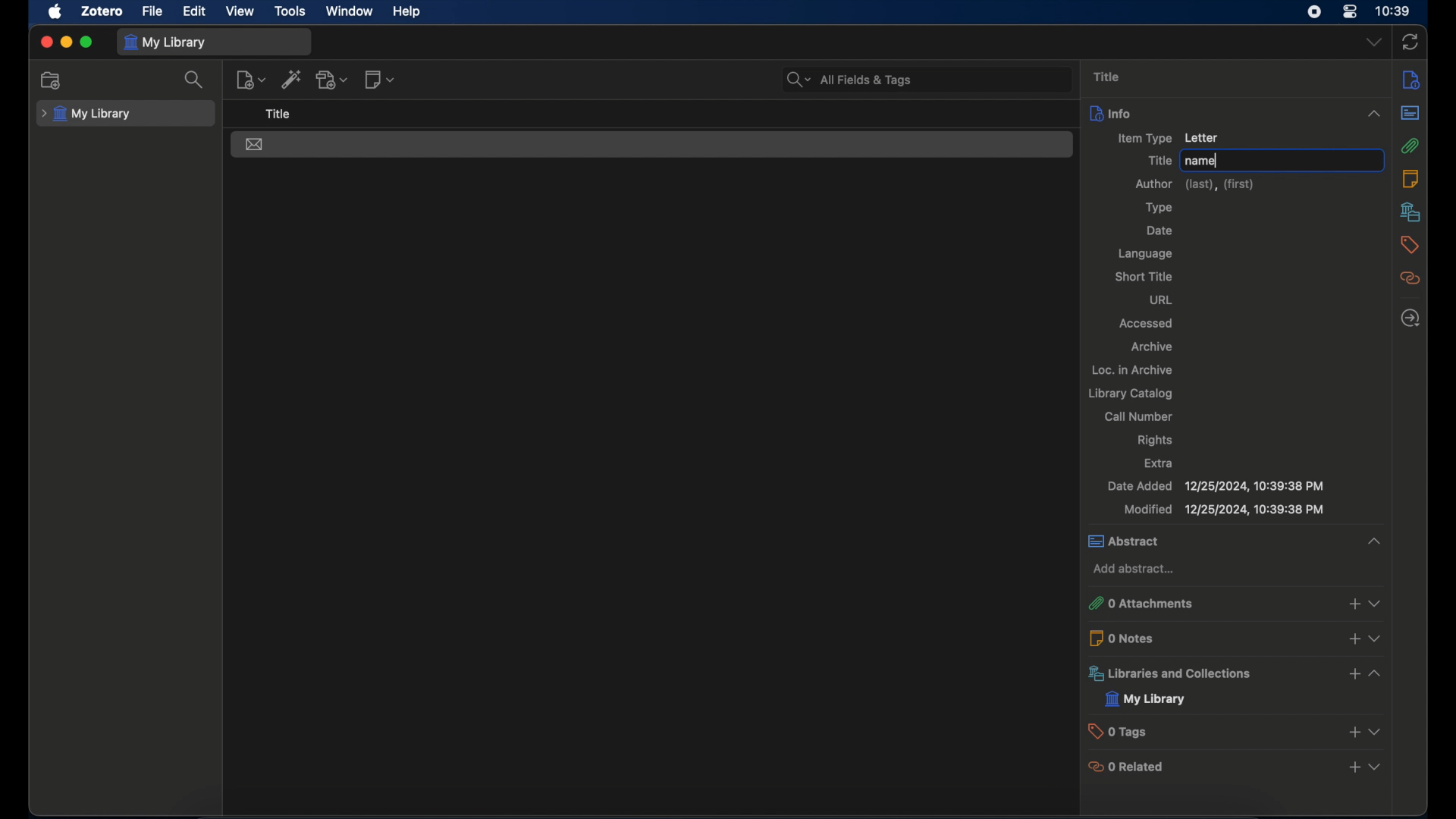 The height and width of the screenshot is (819, 1456). What do you see at coordinates (1162, 300) in the screenshot?
I see `url` at bounding box center [1162, 300].